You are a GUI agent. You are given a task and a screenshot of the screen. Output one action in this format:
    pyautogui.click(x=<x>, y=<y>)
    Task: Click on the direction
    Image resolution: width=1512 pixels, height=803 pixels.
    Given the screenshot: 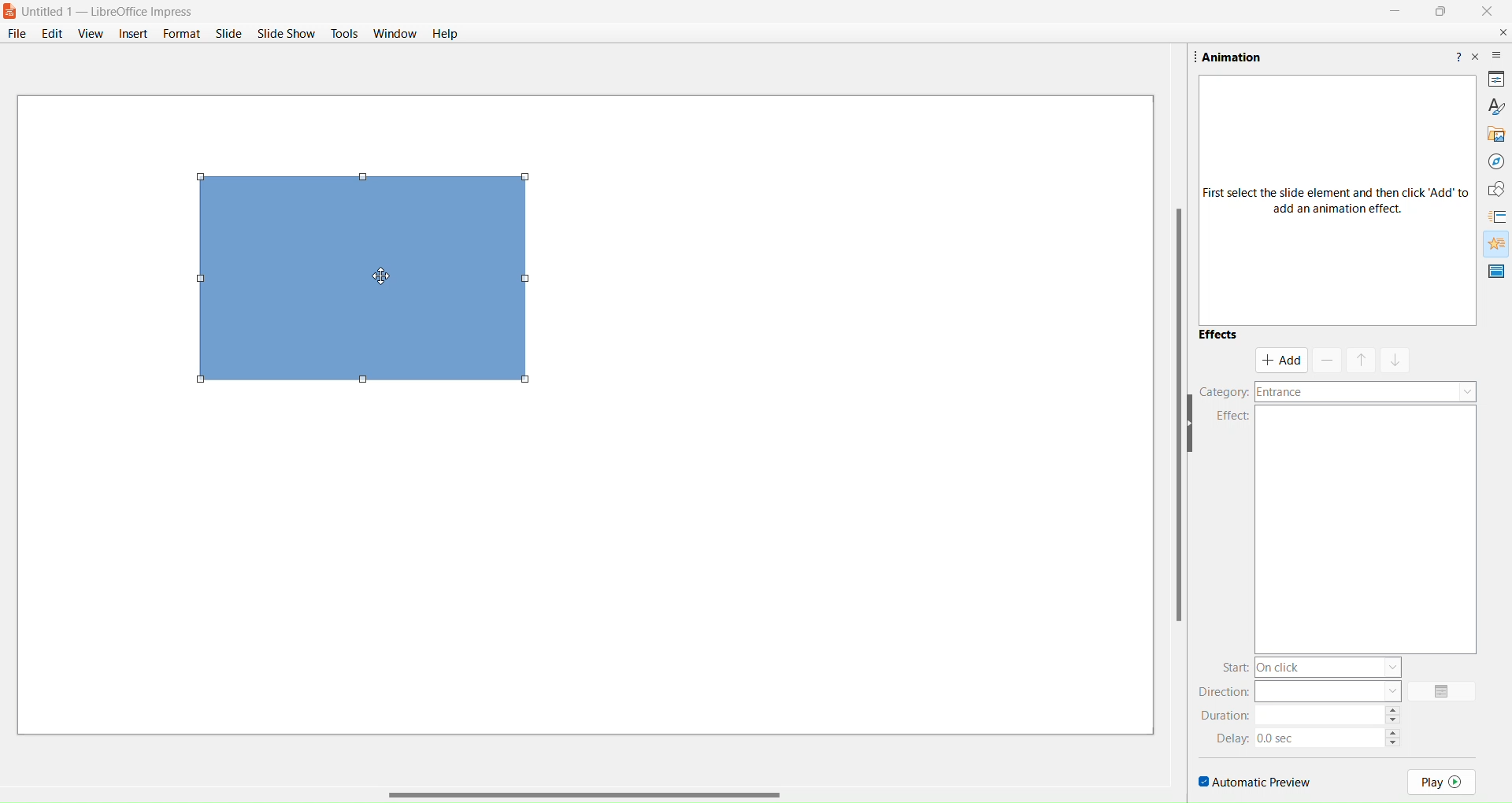 What is the action you would take?
    pyautogui.click(x=1221, y=692)
    